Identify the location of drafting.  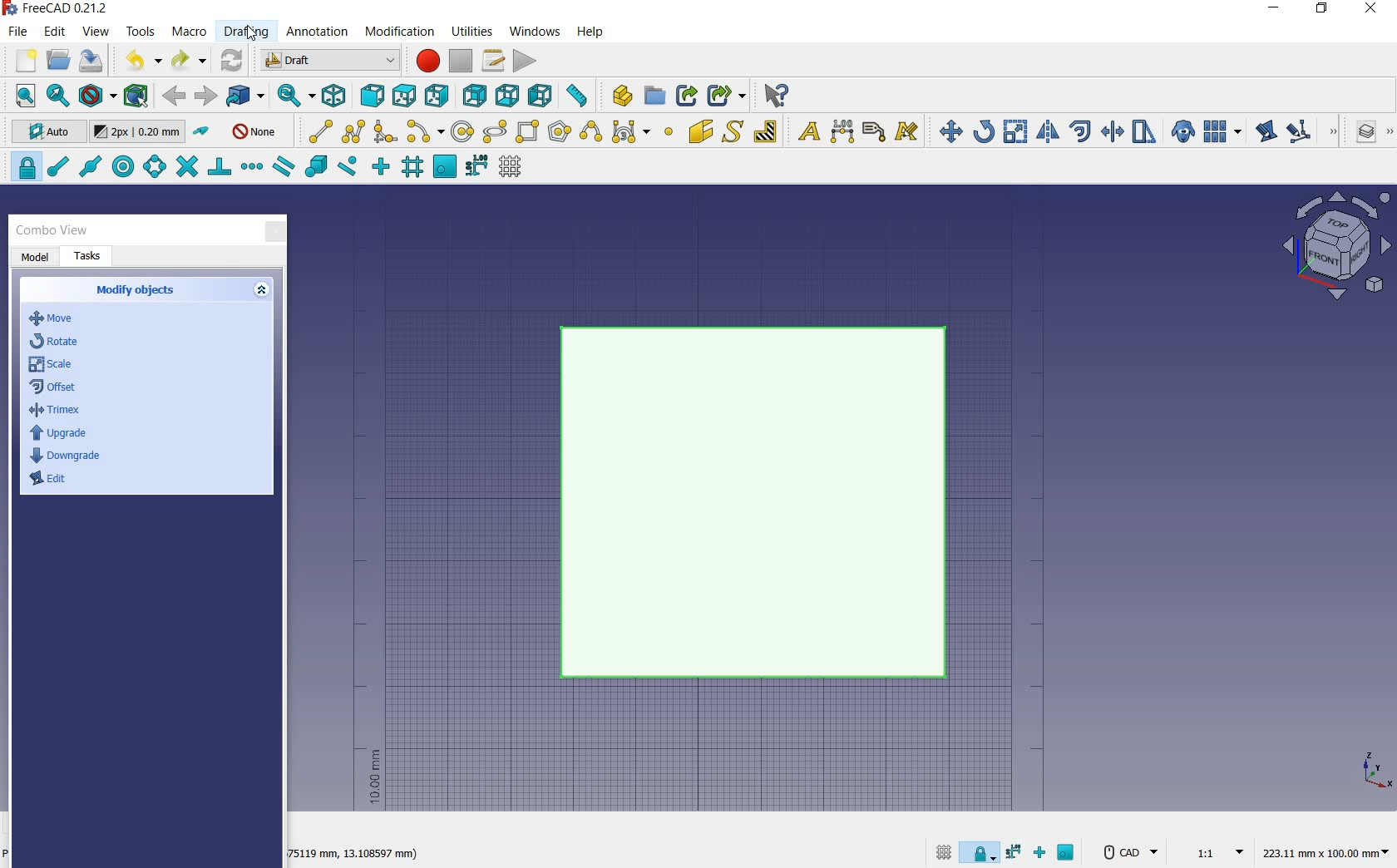
(247, 32).